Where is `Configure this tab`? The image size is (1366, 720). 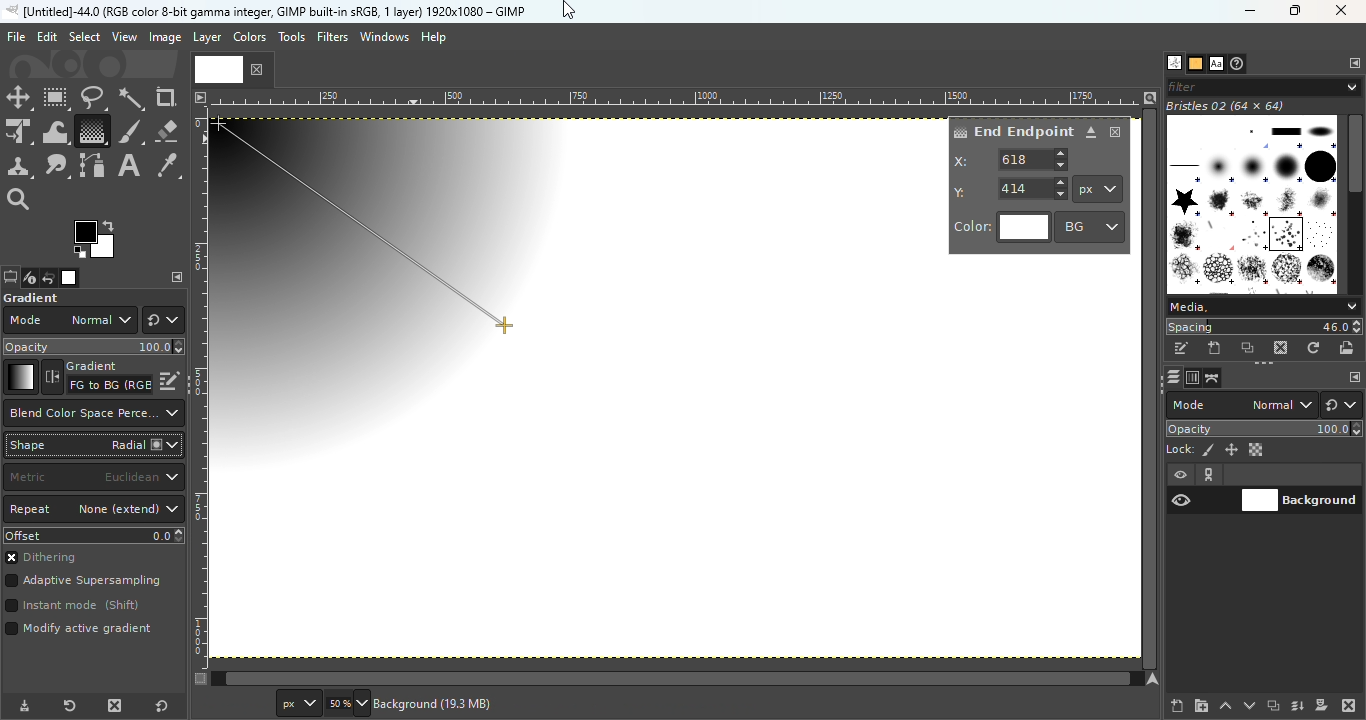
Configure this tab is located at coordinates (1353, 378).